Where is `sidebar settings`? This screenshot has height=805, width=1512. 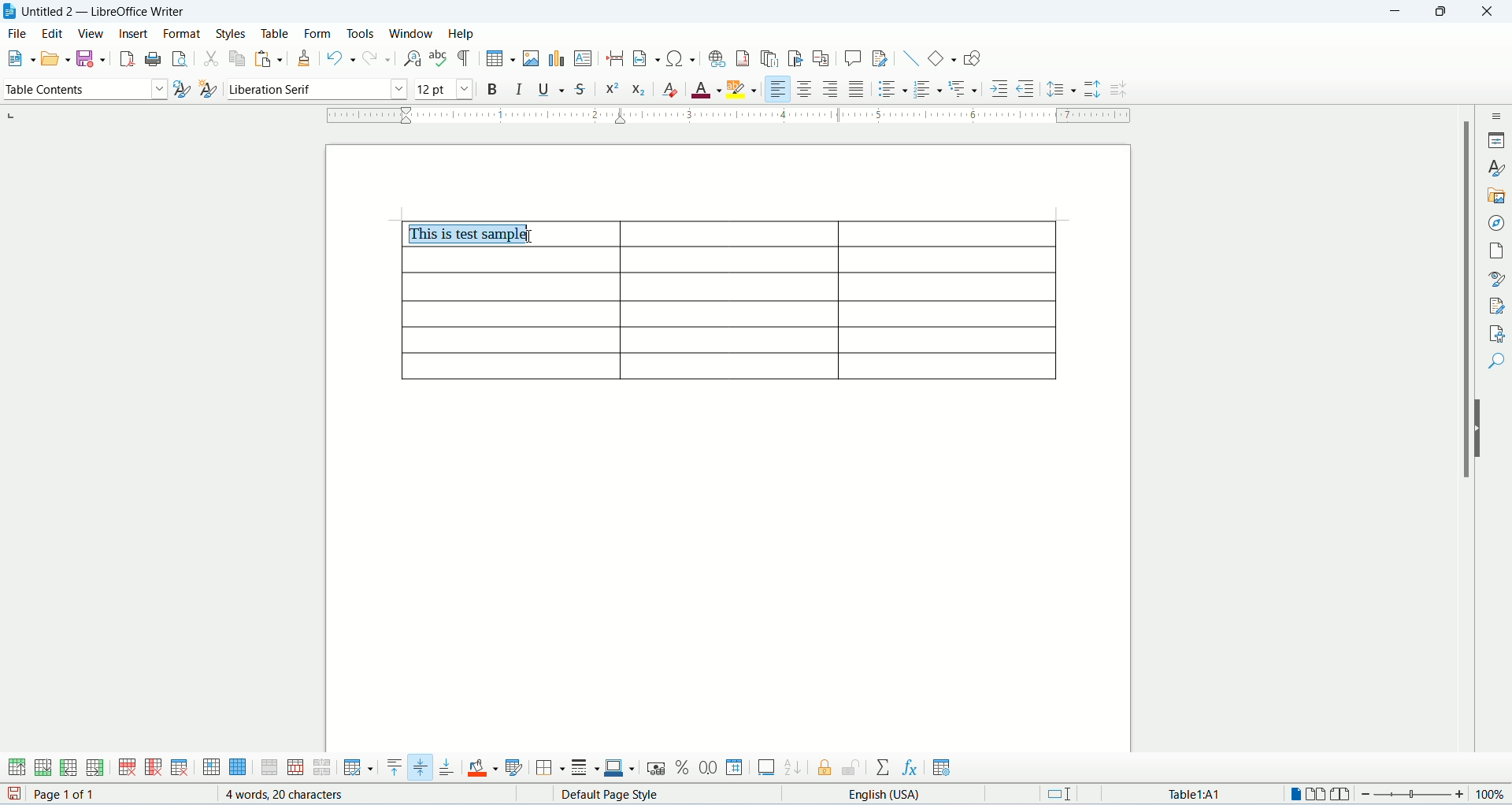 sidebar settings is located at coordinates (1495, 114).